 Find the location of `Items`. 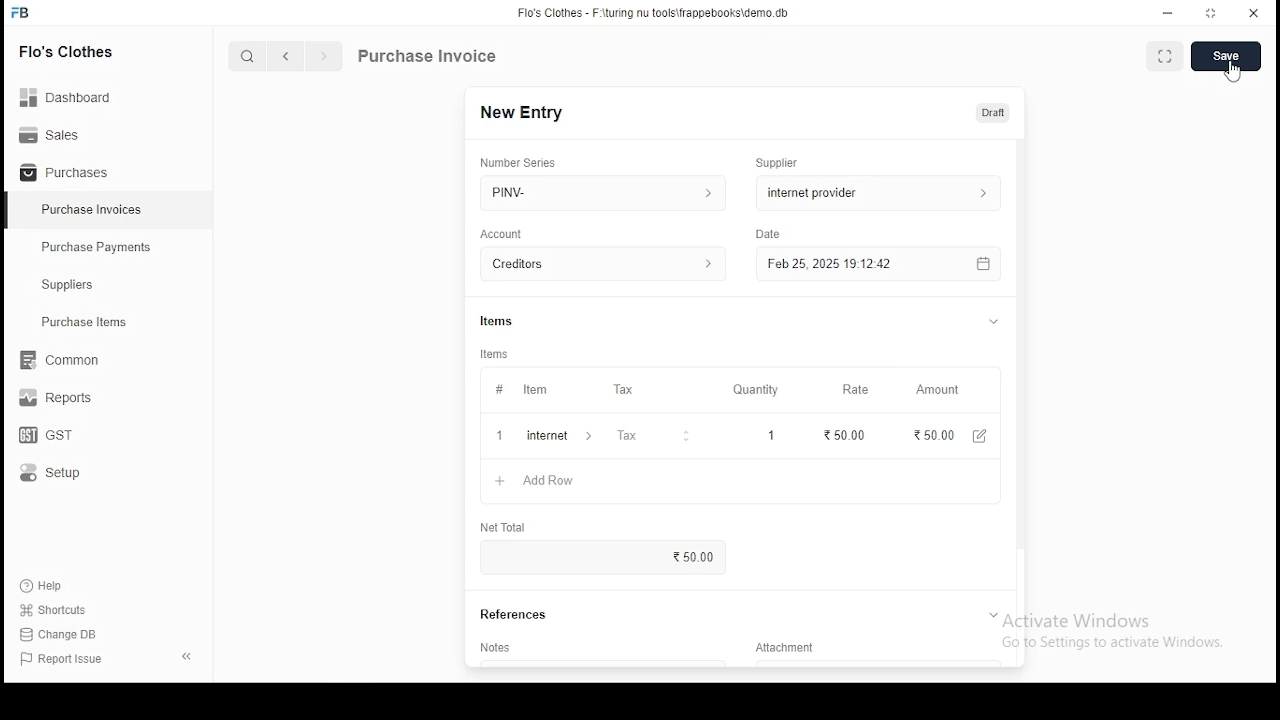

Items is located at coordinates (495, 354).